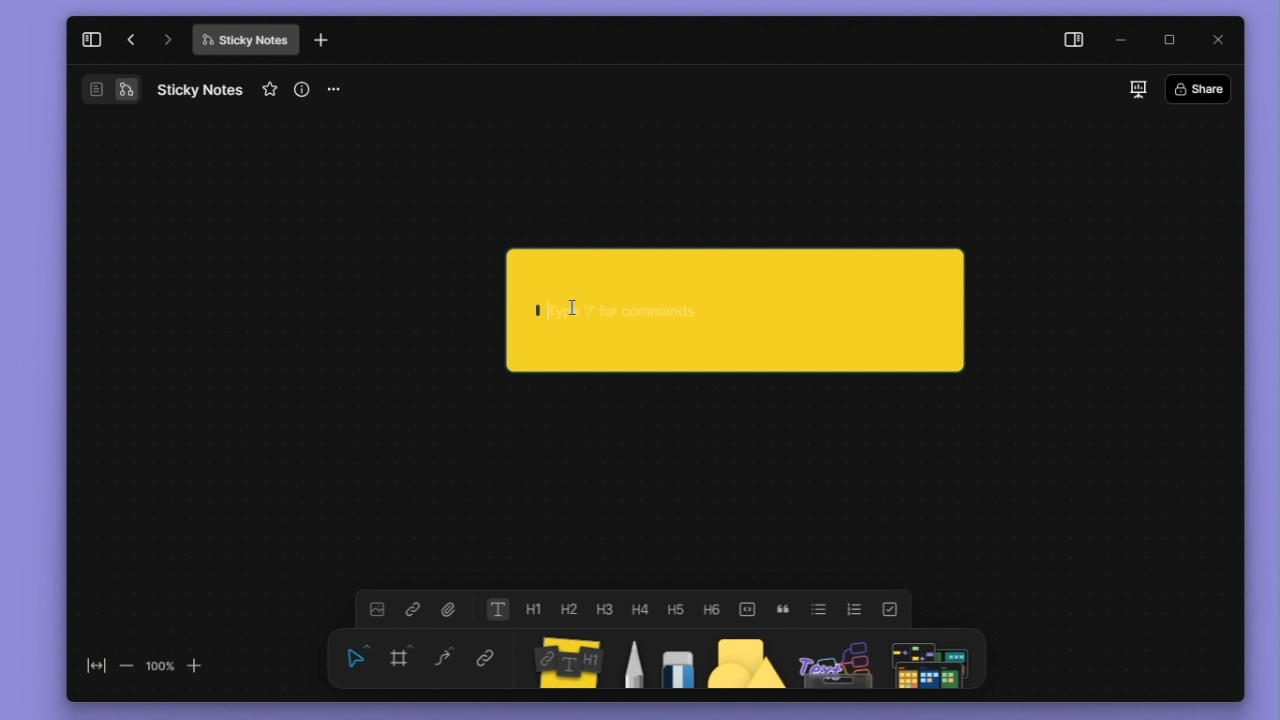 The width and height of the screenshot is (1280, 720). What do you see at coordinates (931, 663) in the screenshot?
I see `Symbols Panel Icon` at bounding box center [931, 663].